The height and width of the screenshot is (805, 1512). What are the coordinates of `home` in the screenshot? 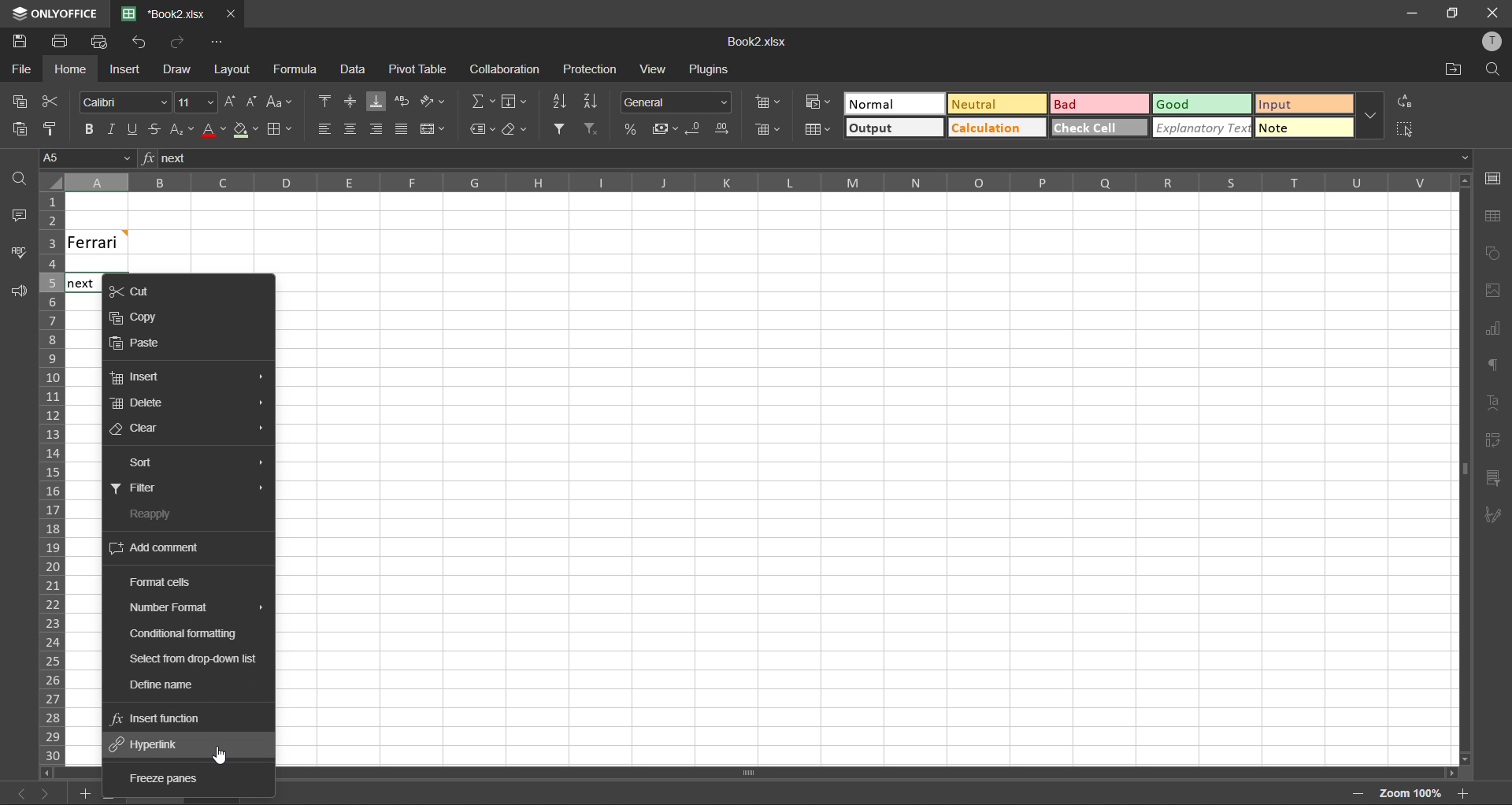 It's located at (66, 69).